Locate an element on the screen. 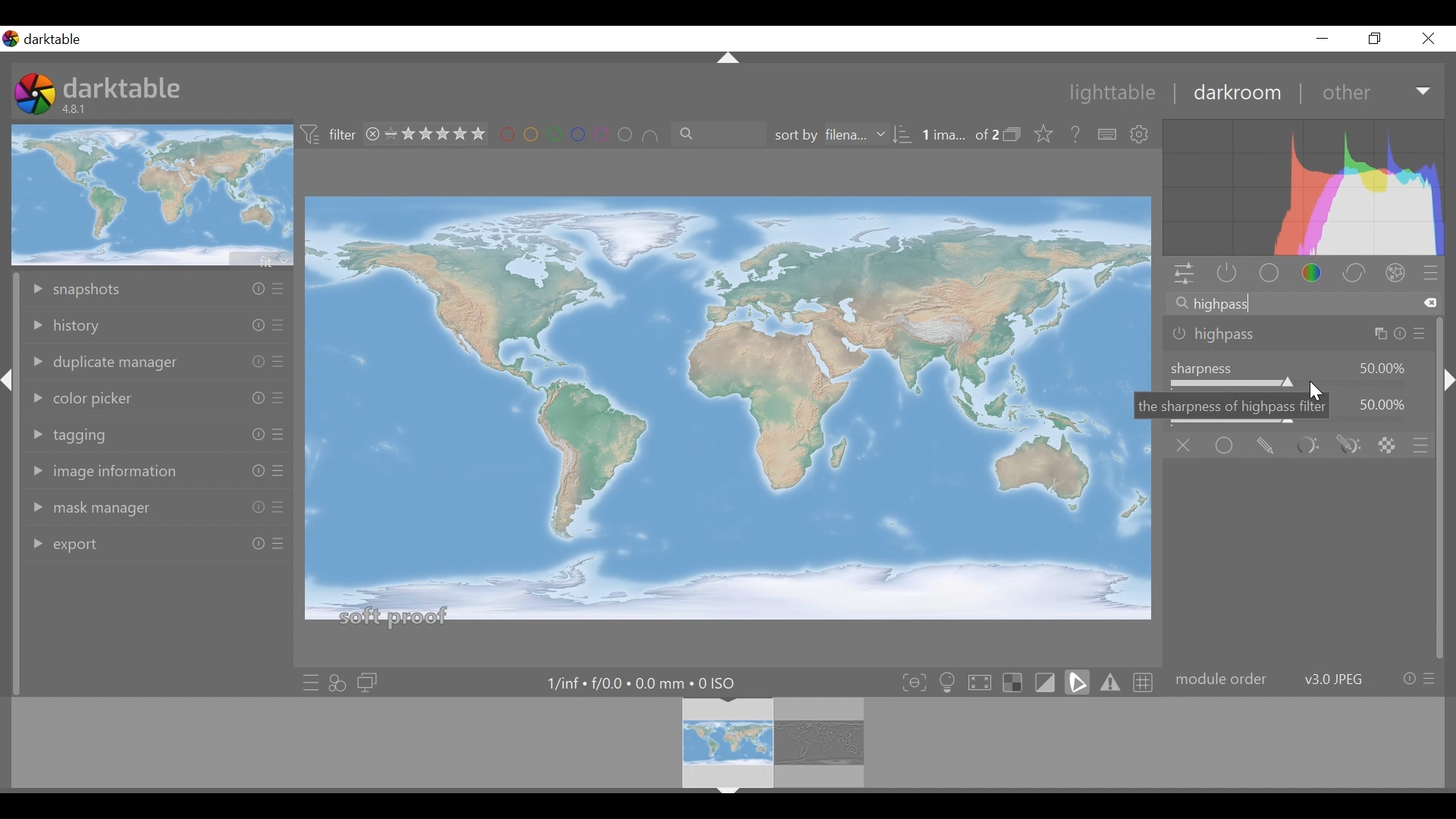 Image resolution: width=1456 pixels, height=819 pixels. Help is located at coordinates (1076, 133).